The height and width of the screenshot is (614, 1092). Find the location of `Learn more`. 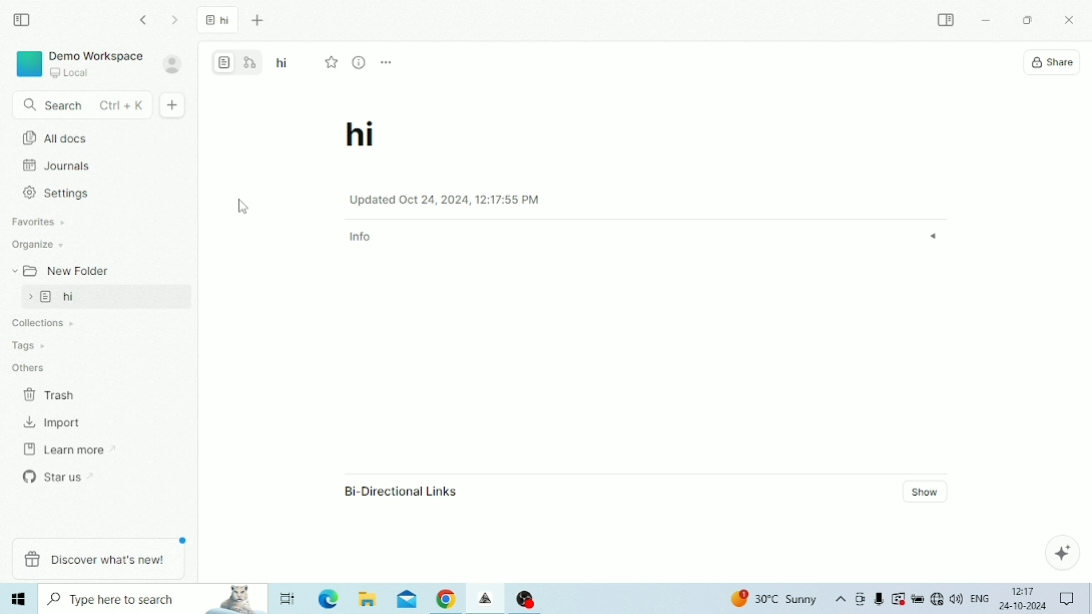

Learn more is located at coordinates (63, 448).